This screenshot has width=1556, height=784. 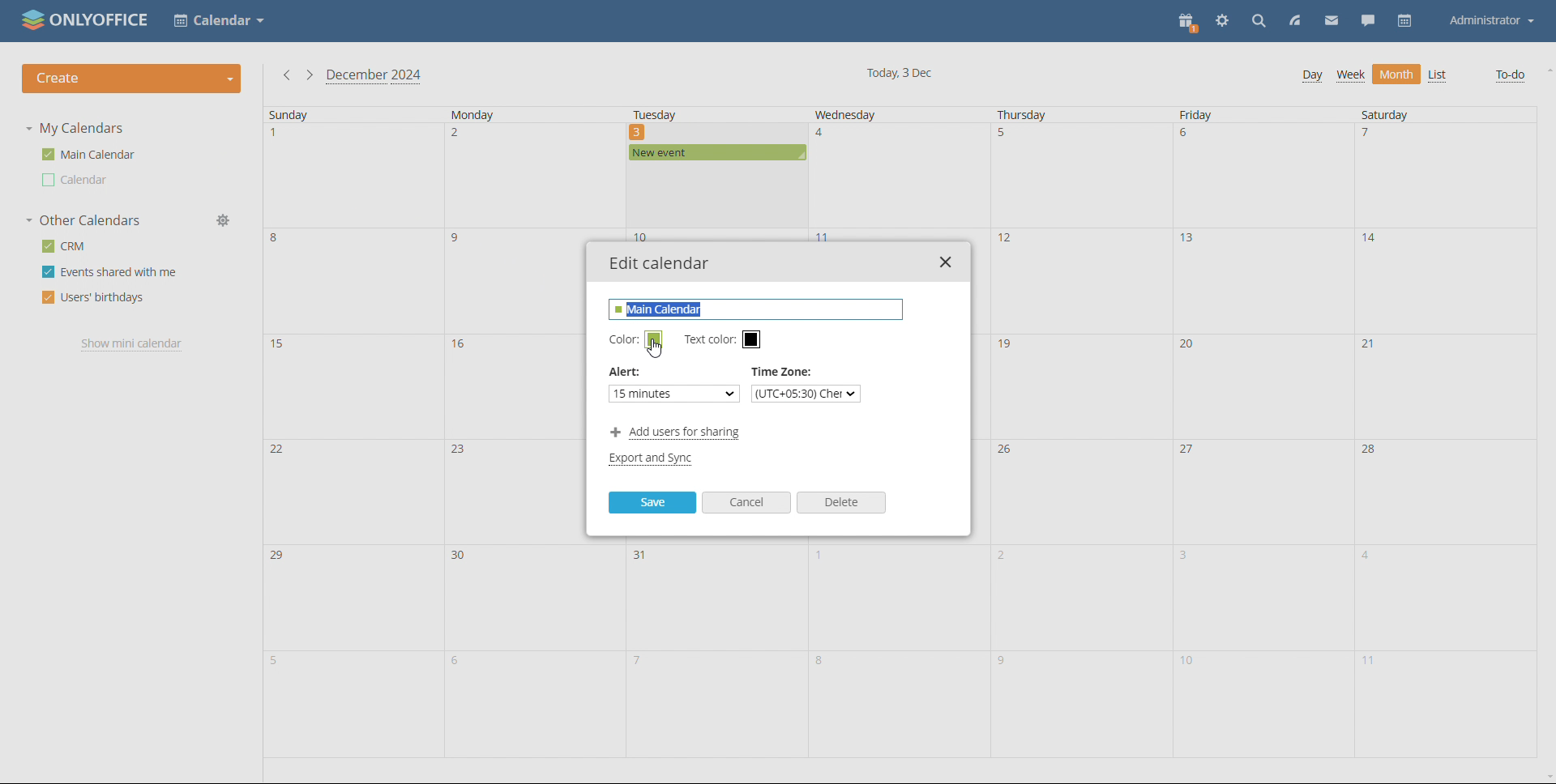 What do you see at coordinates (110, 272) in the screenshot?
I see `events shared with me` at bounding box center [110, 272].